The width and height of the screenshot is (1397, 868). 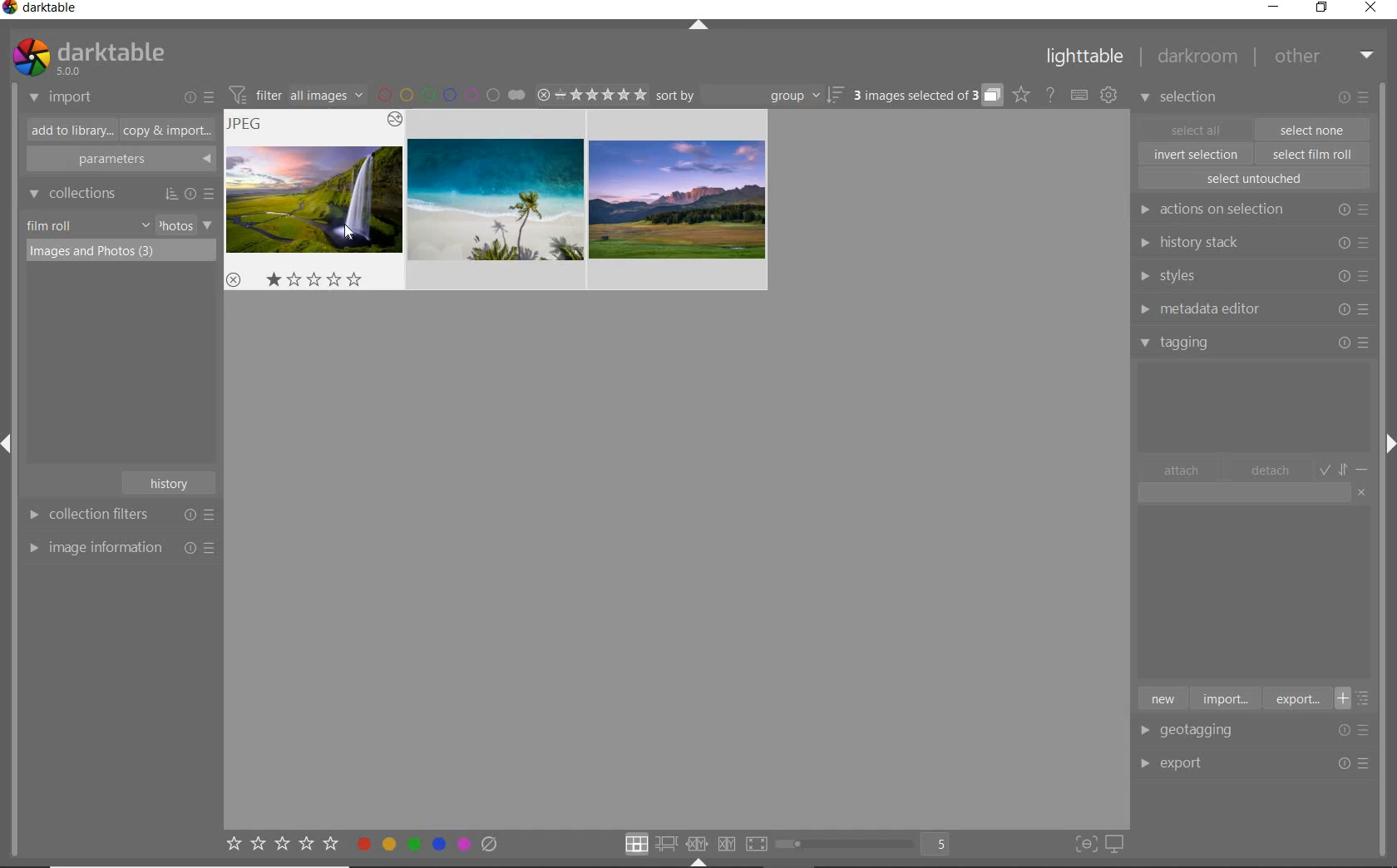 What do you see at coordinates (175, 225) in the screenshot?
I see `photos` at bounding box center [175, 225].